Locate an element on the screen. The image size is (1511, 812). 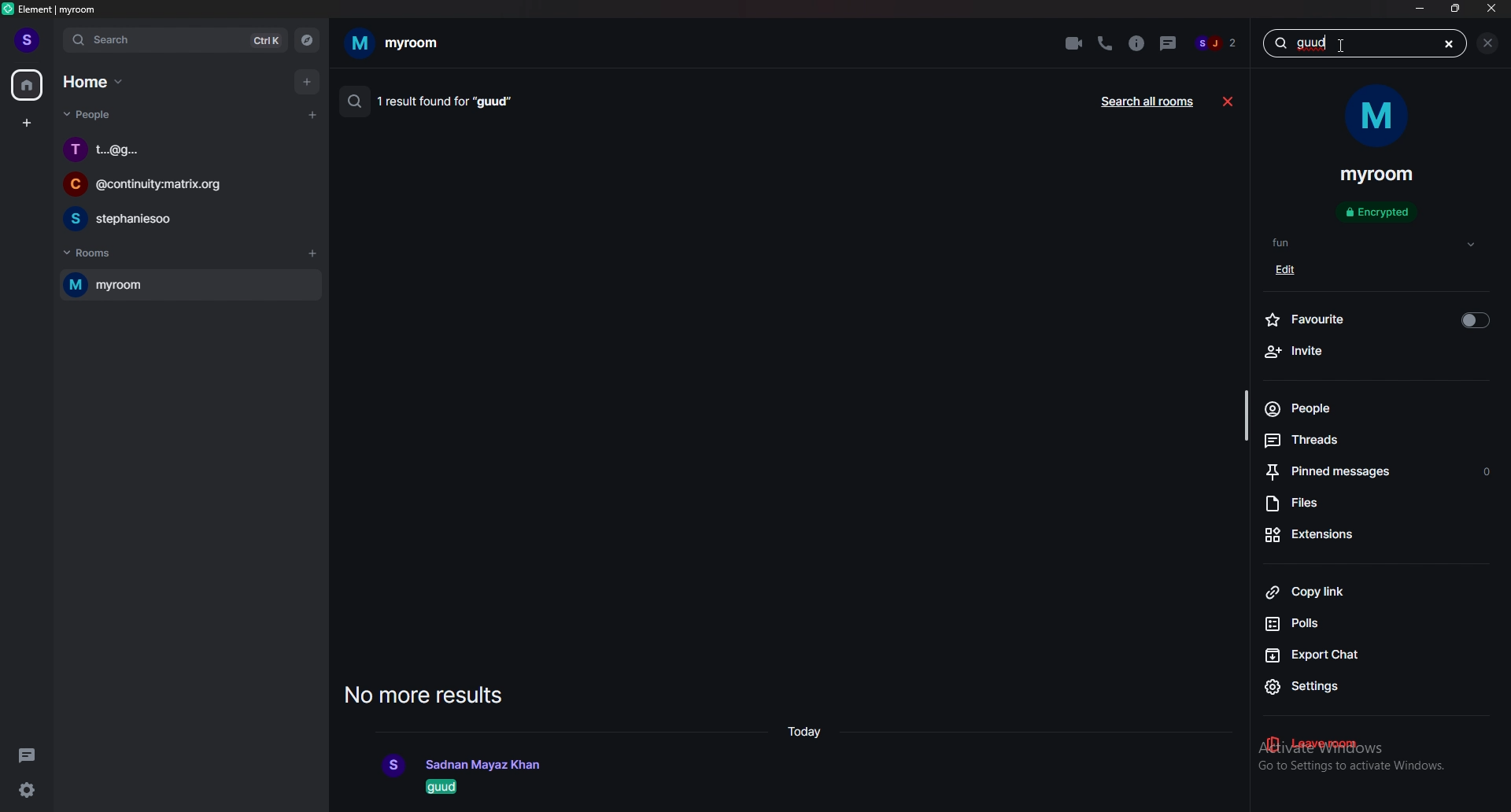
leave room is located at coordinates (1347, 746).